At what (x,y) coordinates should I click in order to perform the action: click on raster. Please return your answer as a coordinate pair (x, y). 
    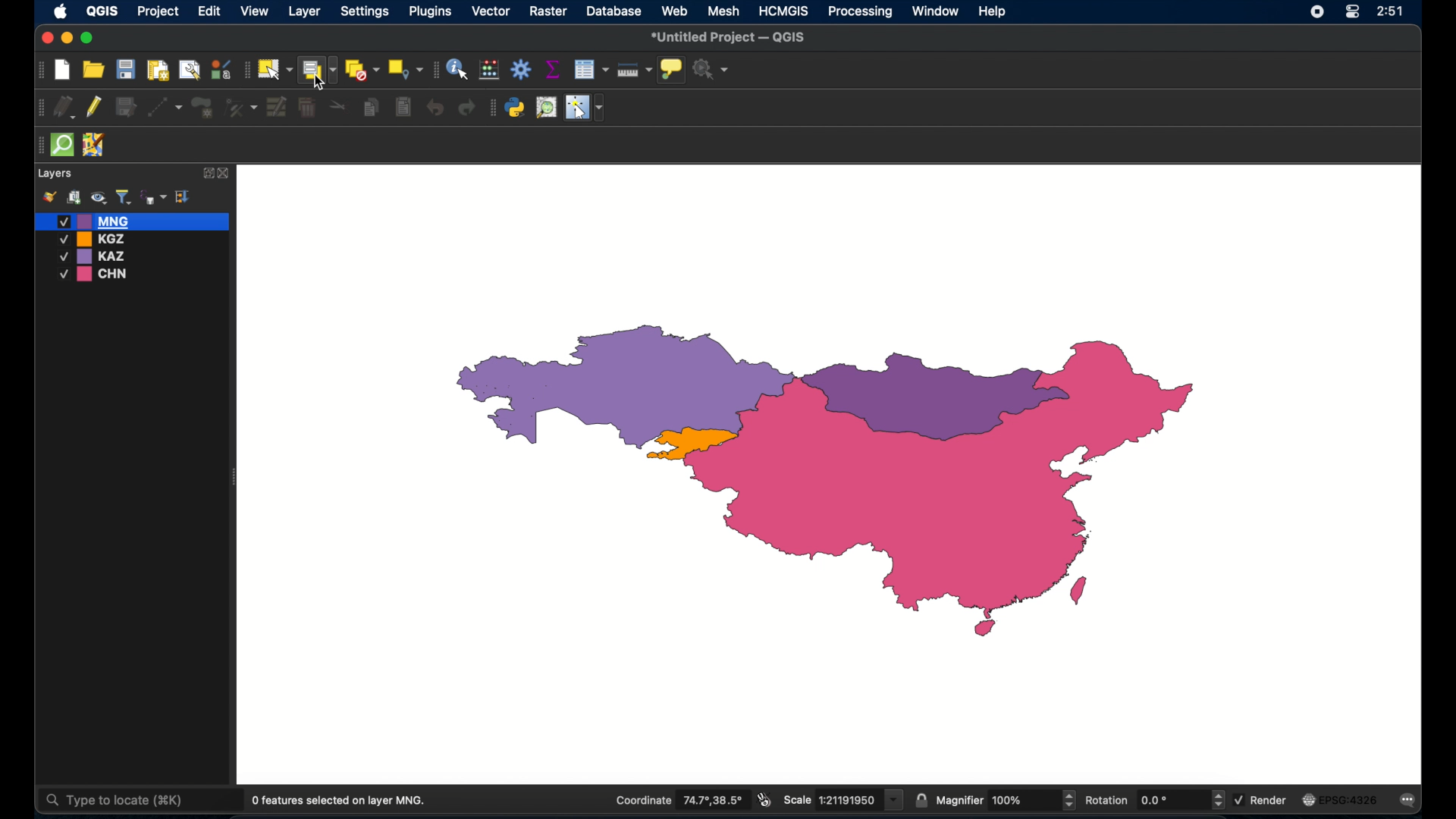
    Looking at the image, I should click on (551, 12).